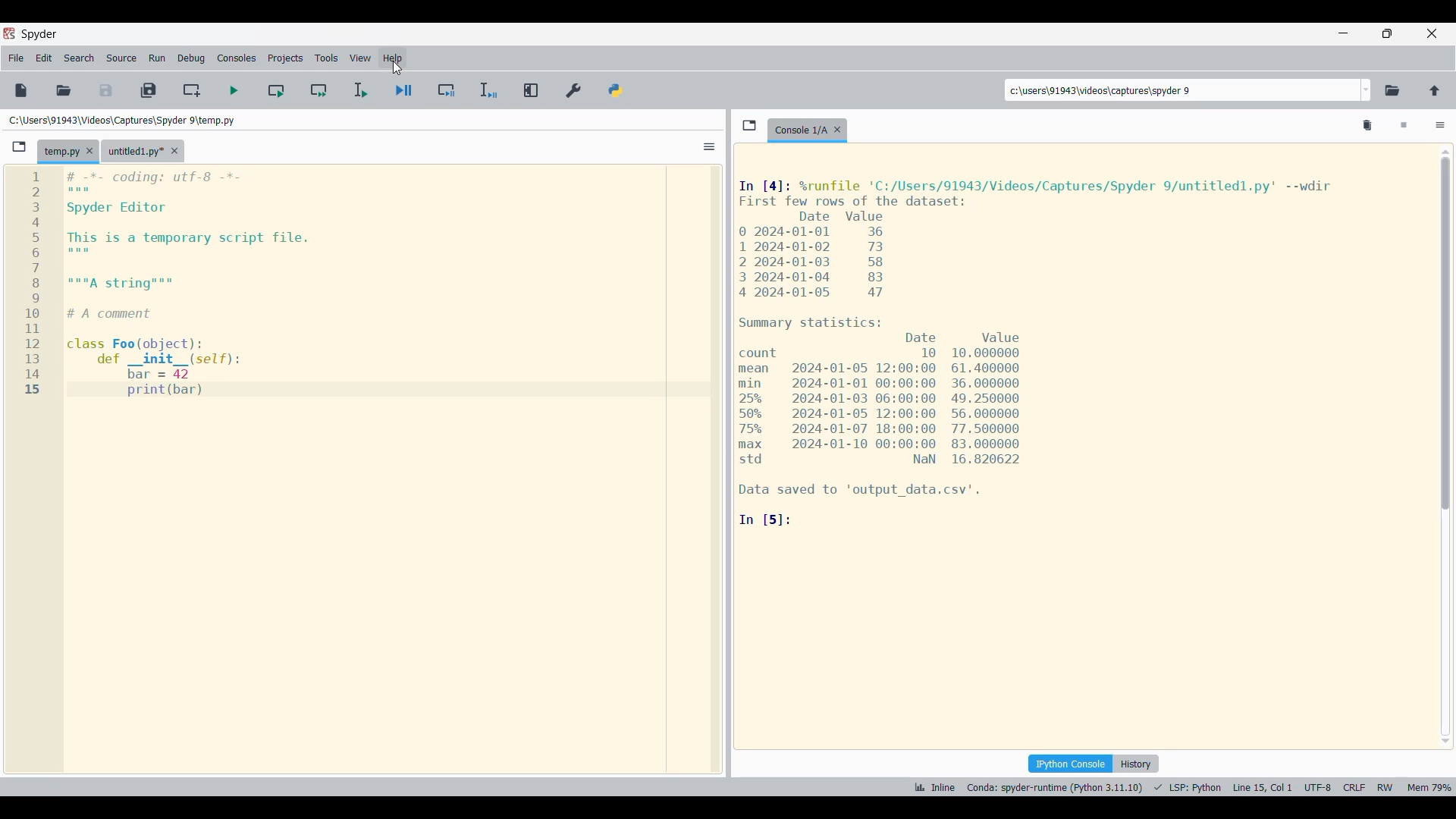 This screenshot has width=1456, height=819. What do you see at coordinates (61, 152) in the screenshot?
I see `Current tab highlighted` at bounding box center [61, 152].